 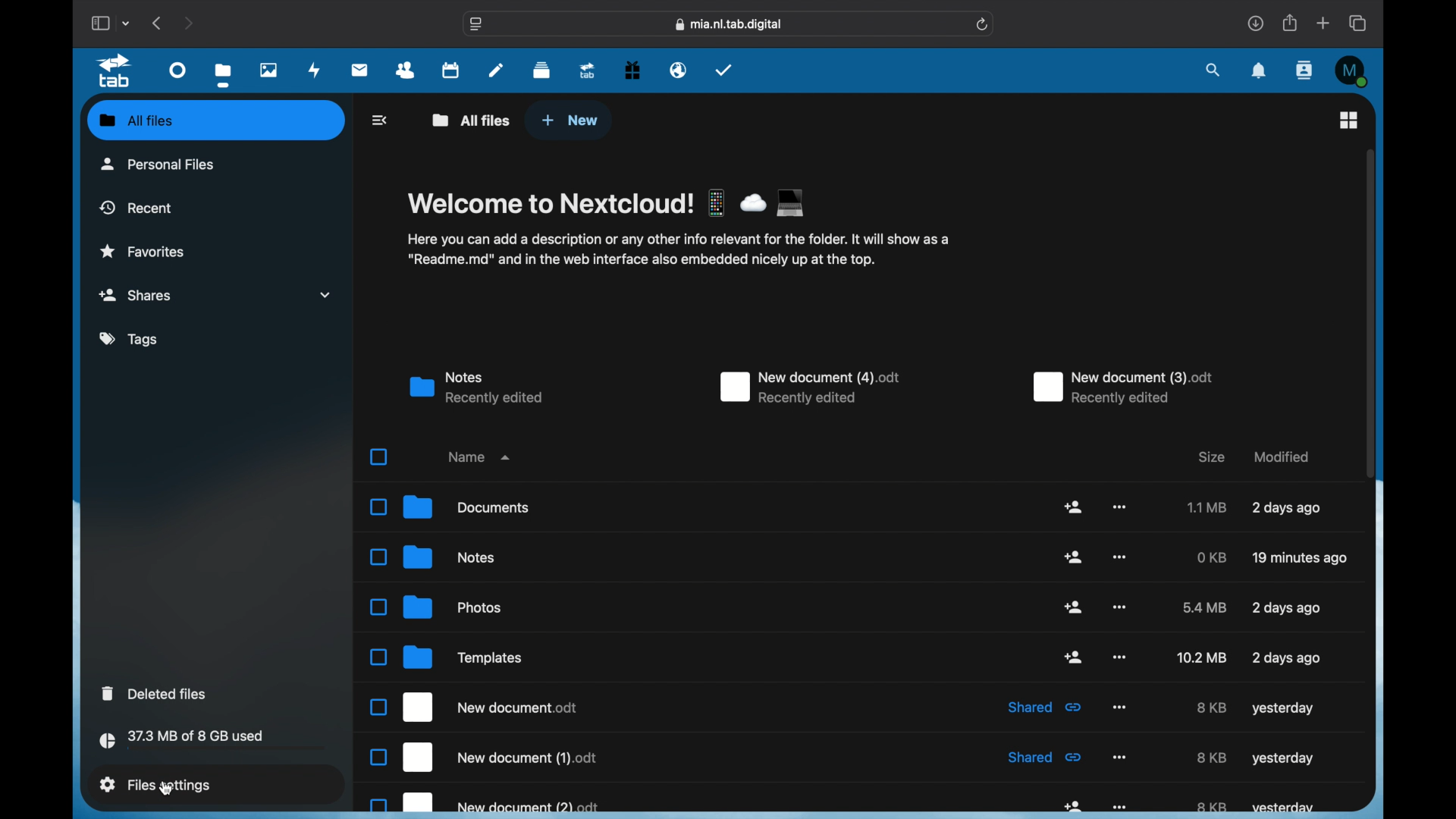 What do you see at coordinates (215, 742) in the screenshot?
I see `storage` at bounding box center [215, 742].